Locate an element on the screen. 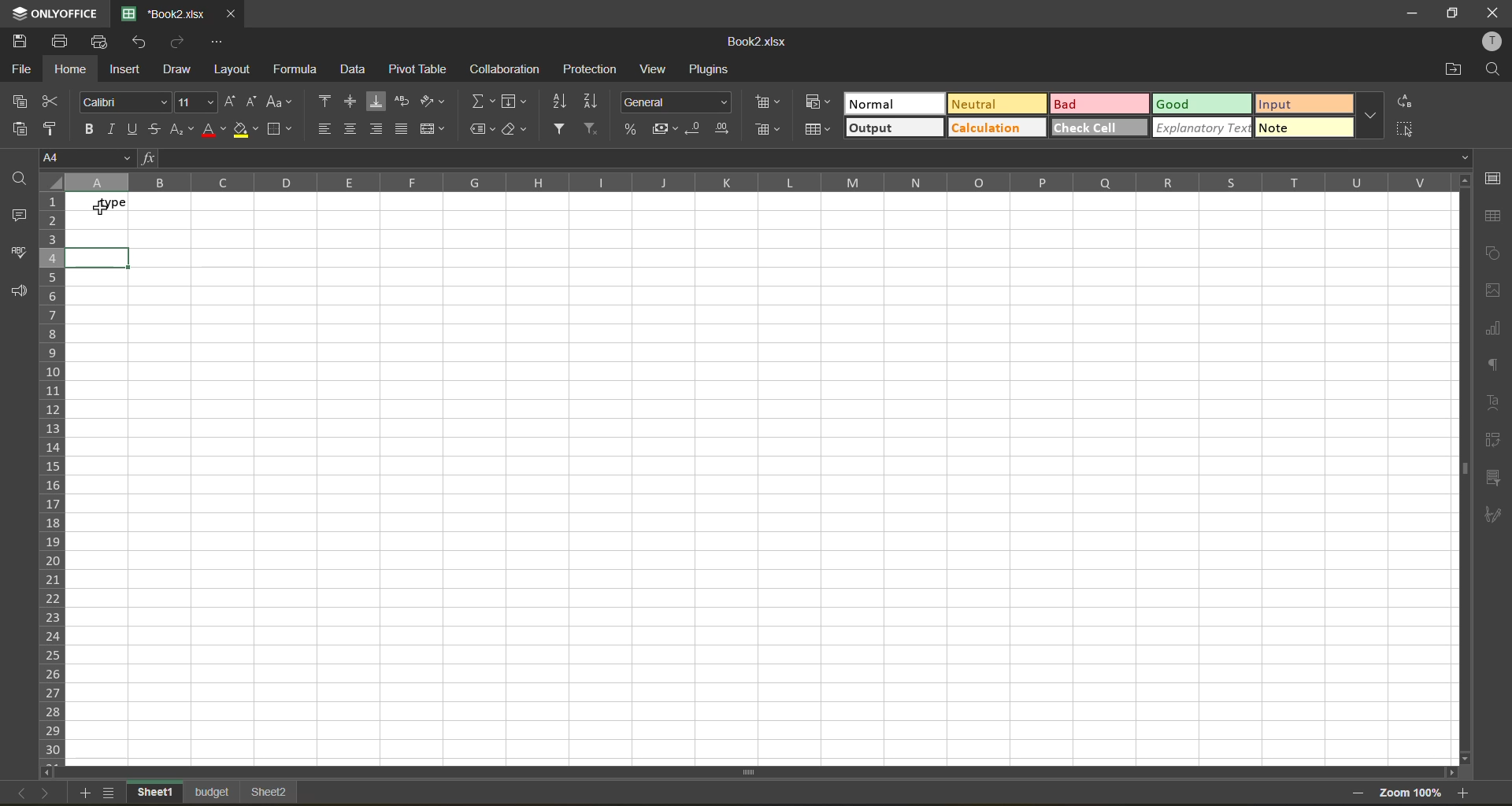 The image size is (1512, 806). strikethrough is located at coordinates (154, 128).